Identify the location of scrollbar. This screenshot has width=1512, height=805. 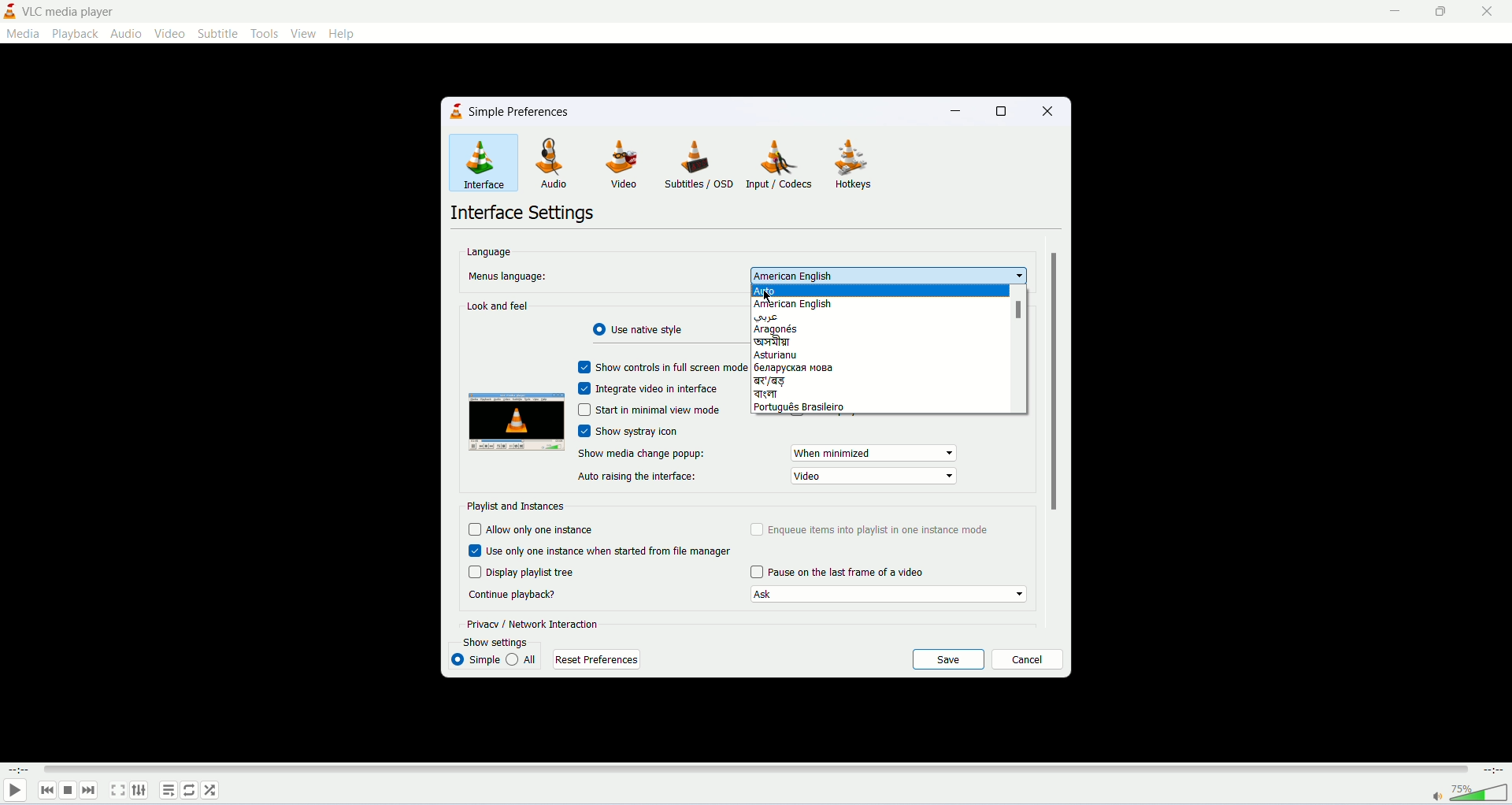
(1017, 310).